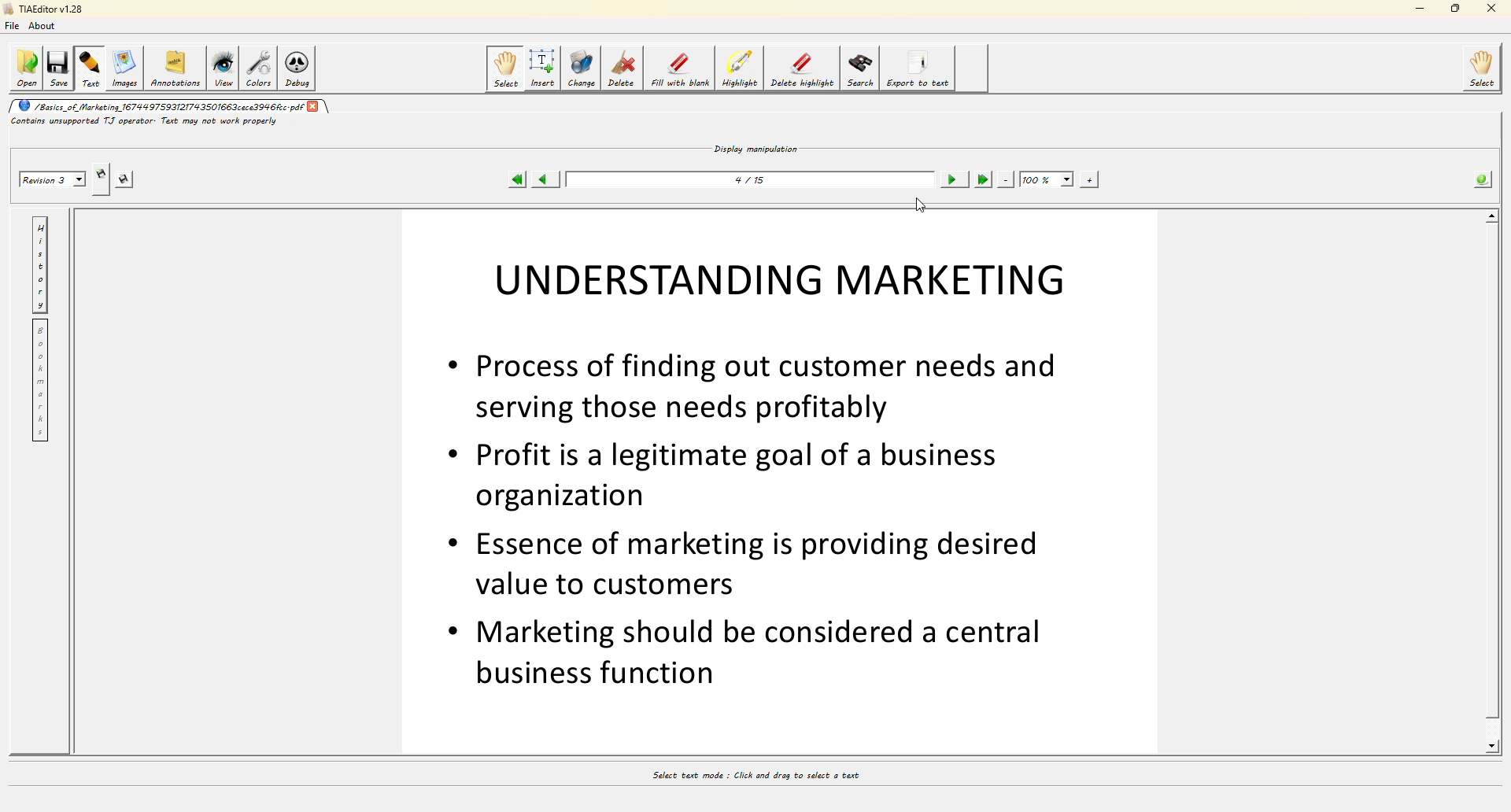 This screenshot has height=812, width=1511. I want to click on zoom in, so click(1088, 180).